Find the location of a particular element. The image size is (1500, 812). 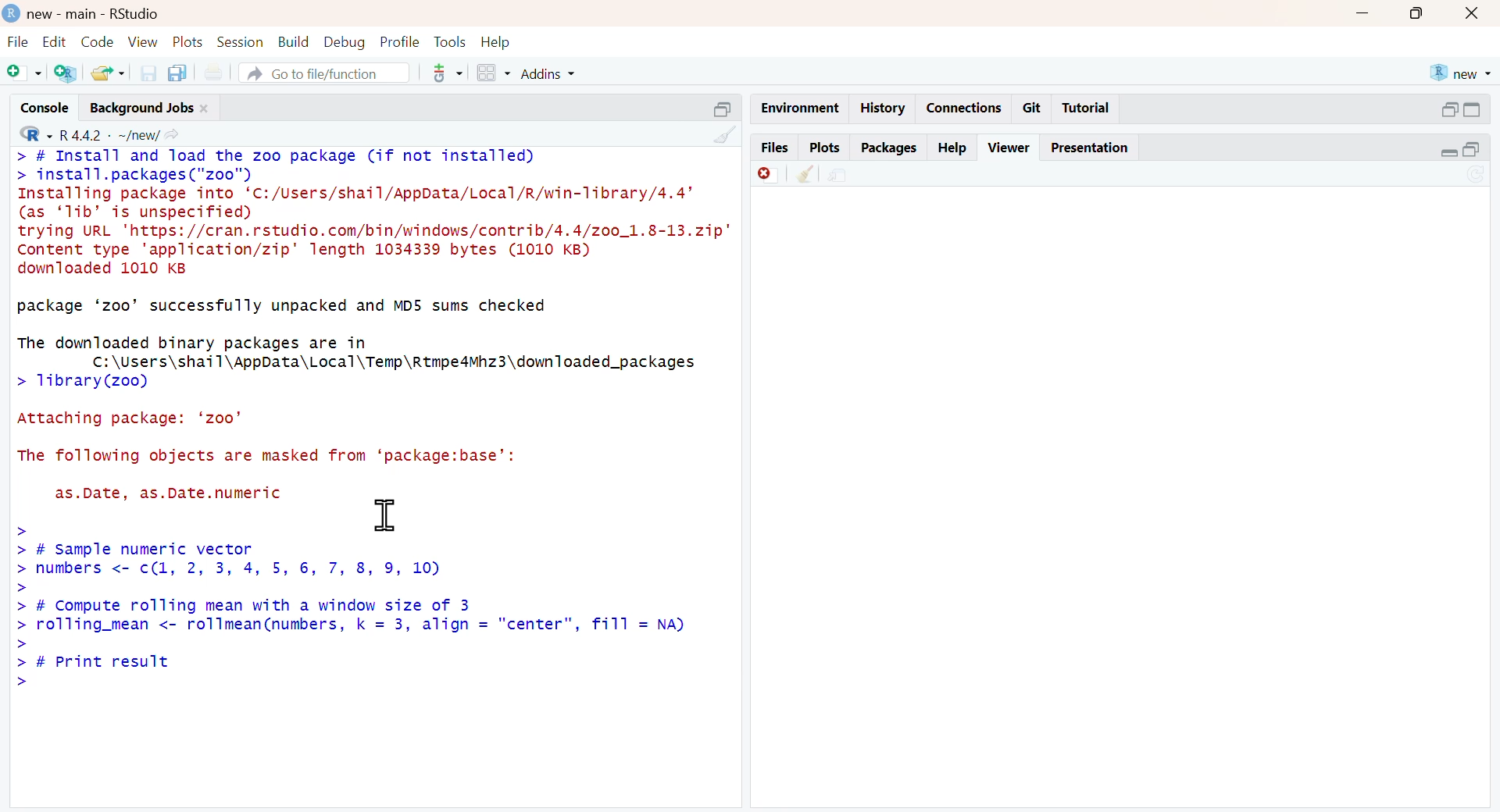

Sync is located at coordinates (1478, 175).